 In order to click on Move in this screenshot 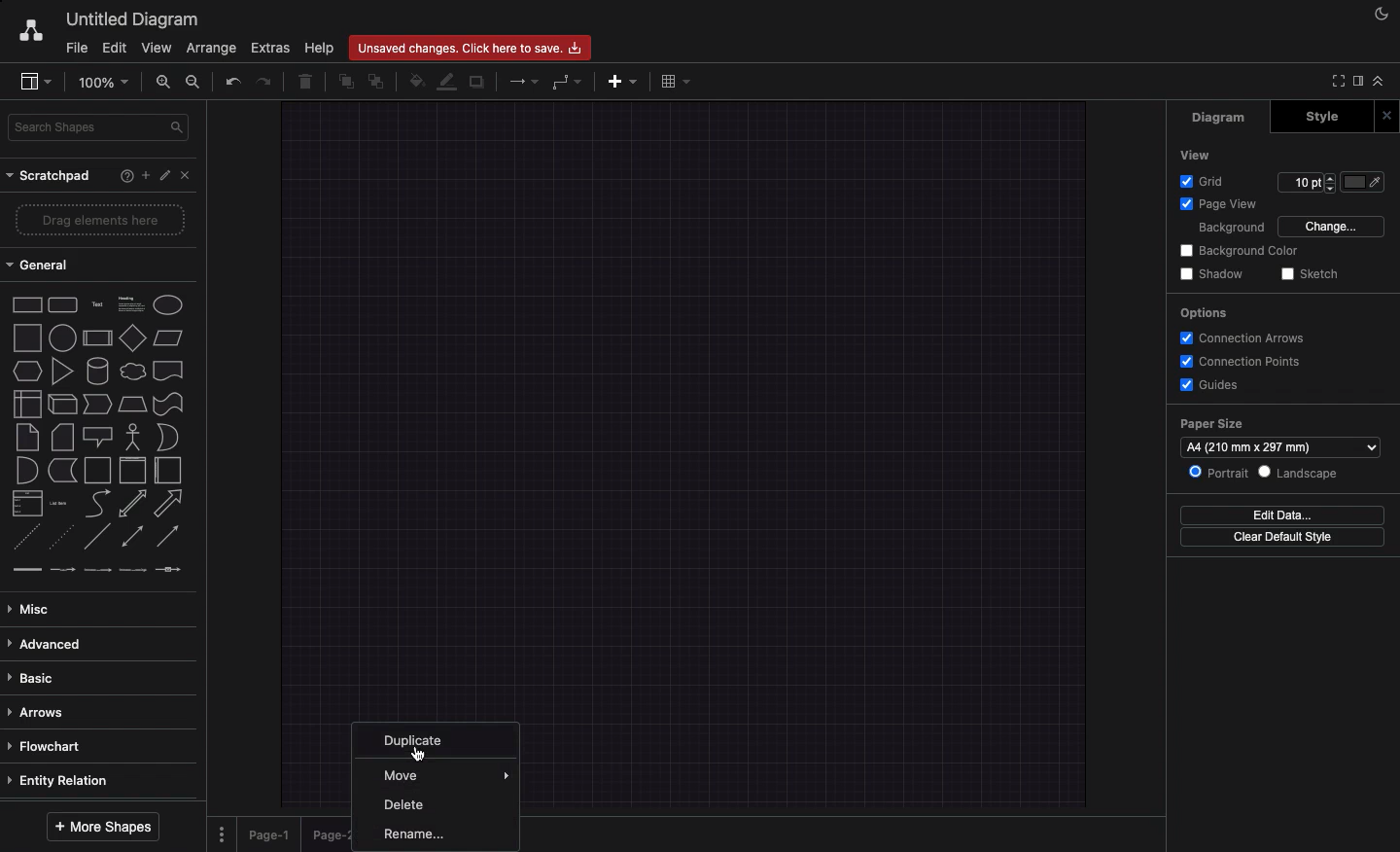, I will do `click(408, 775)`.